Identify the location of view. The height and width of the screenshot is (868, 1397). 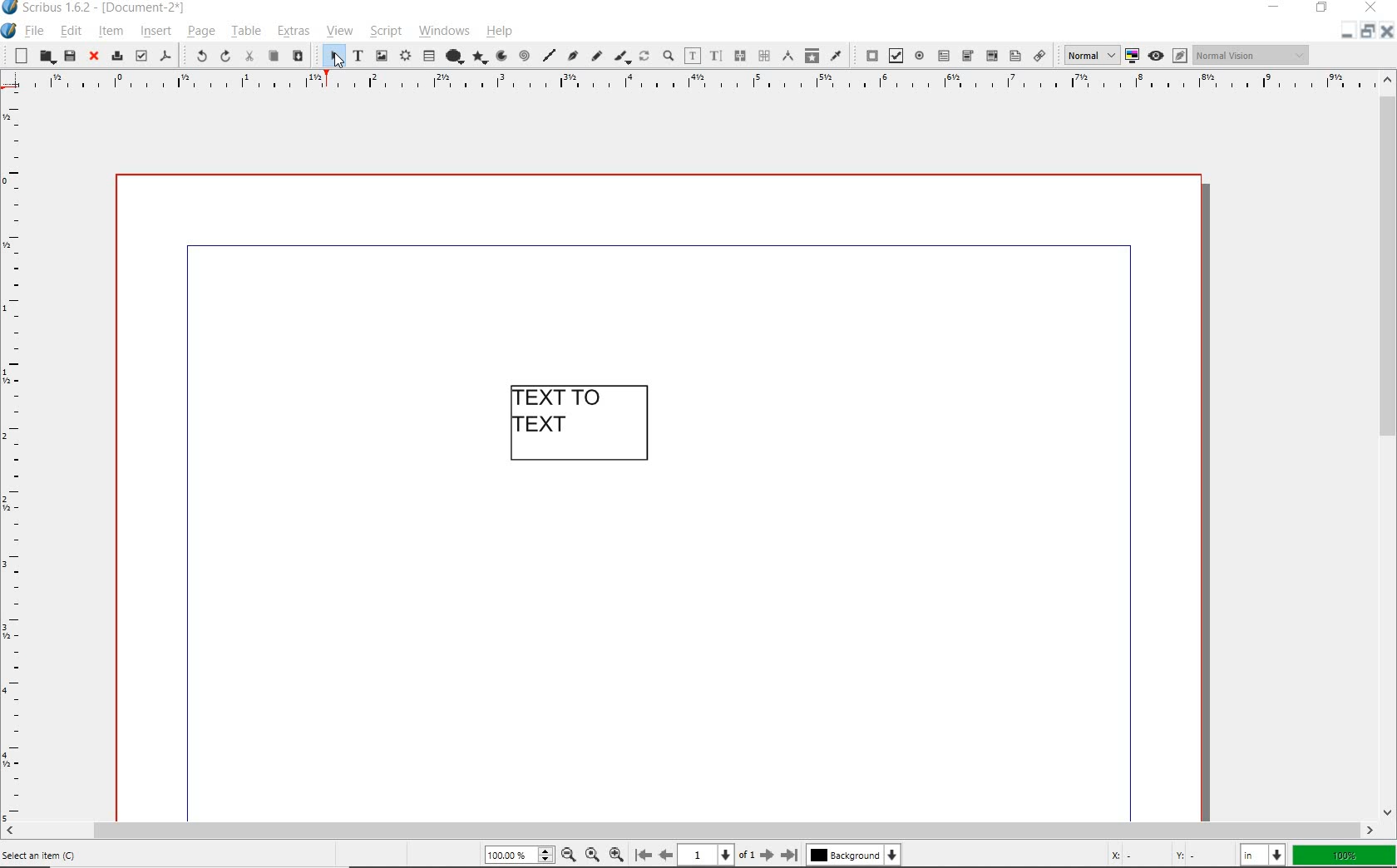
(340, 32).